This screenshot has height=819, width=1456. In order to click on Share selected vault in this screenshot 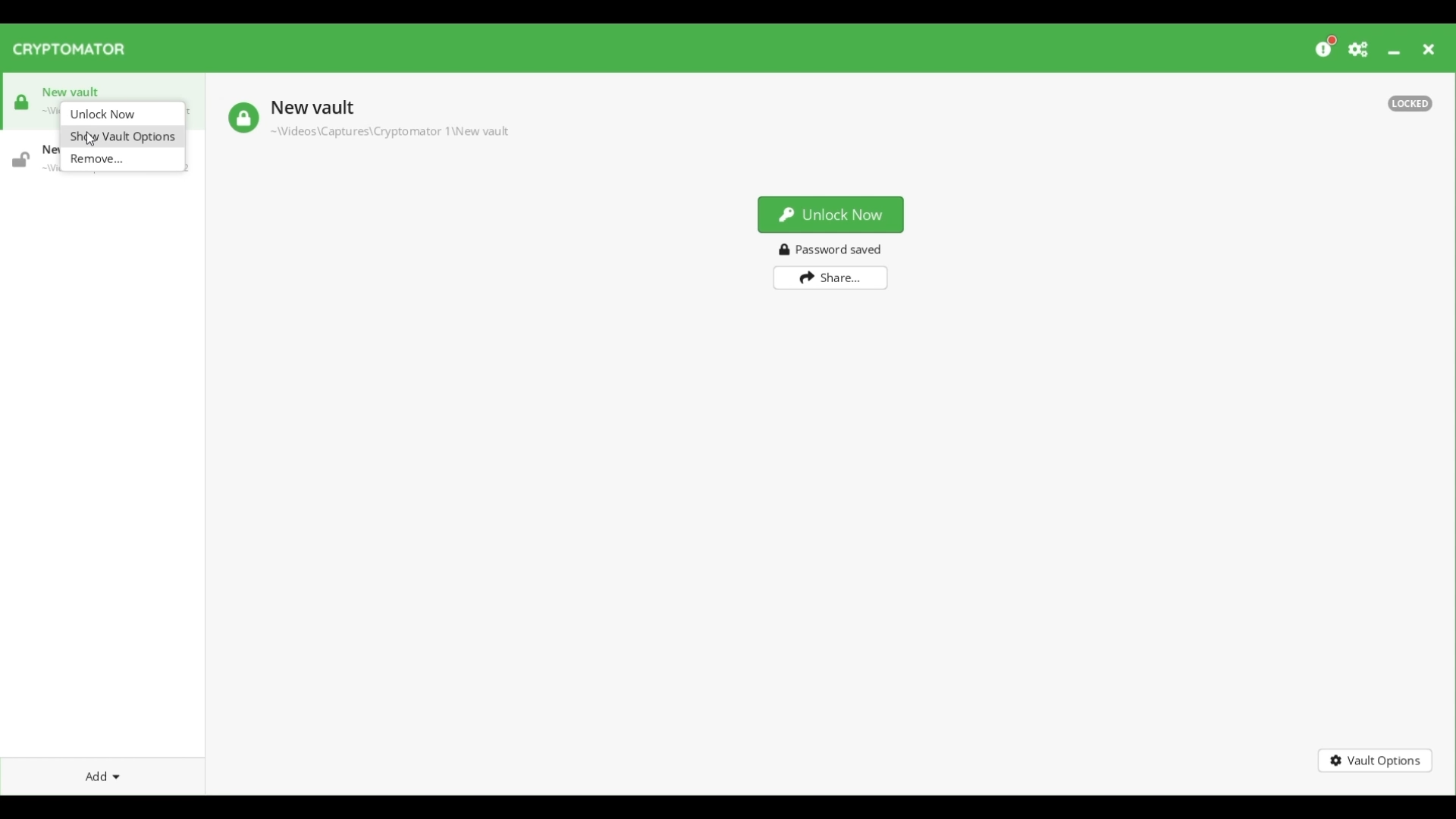, I will do `click(831, 278)`.